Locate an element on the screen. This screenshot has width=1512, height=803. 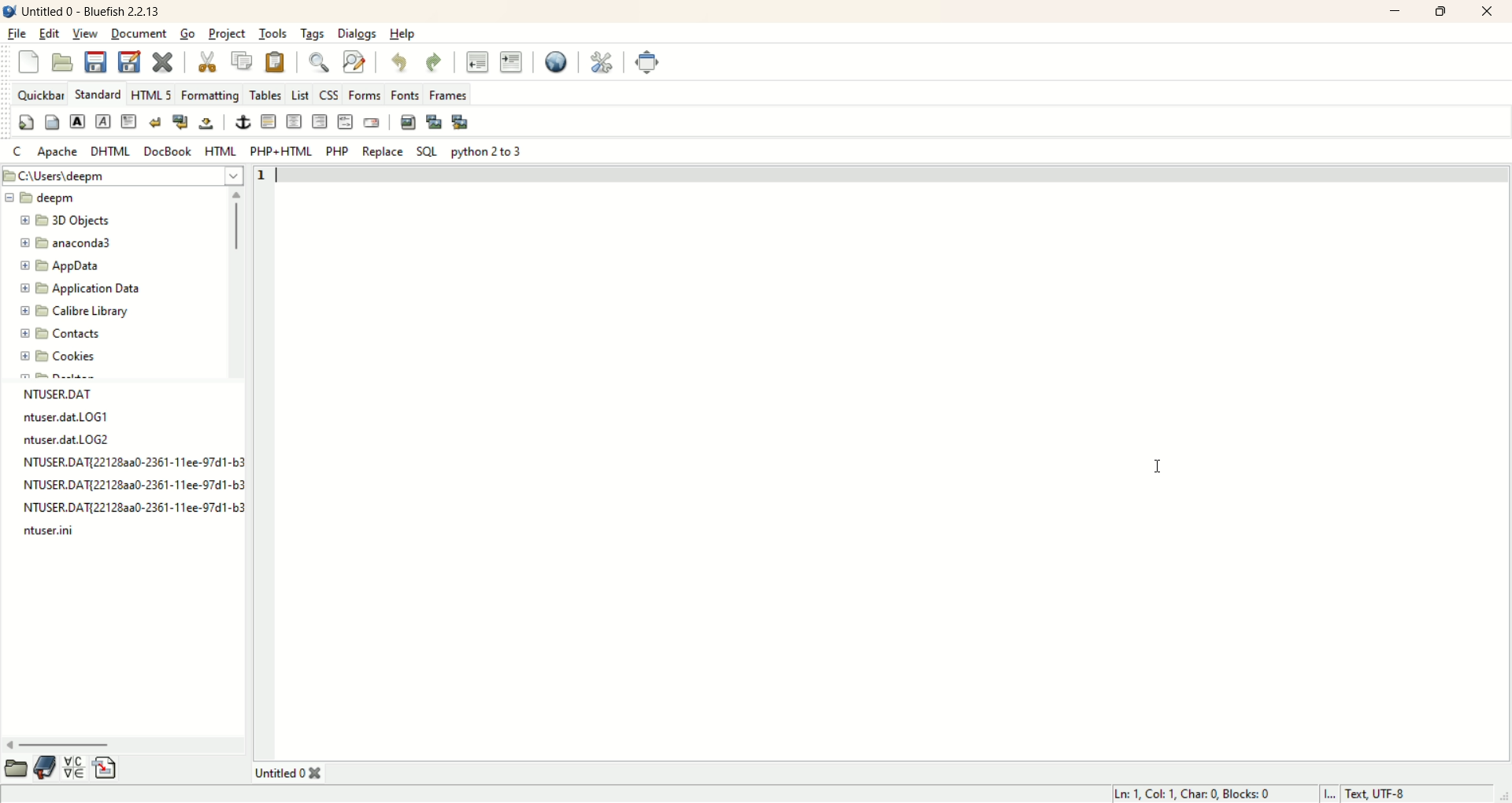
ln, col, char, block is located at coordinates (1203, 794).